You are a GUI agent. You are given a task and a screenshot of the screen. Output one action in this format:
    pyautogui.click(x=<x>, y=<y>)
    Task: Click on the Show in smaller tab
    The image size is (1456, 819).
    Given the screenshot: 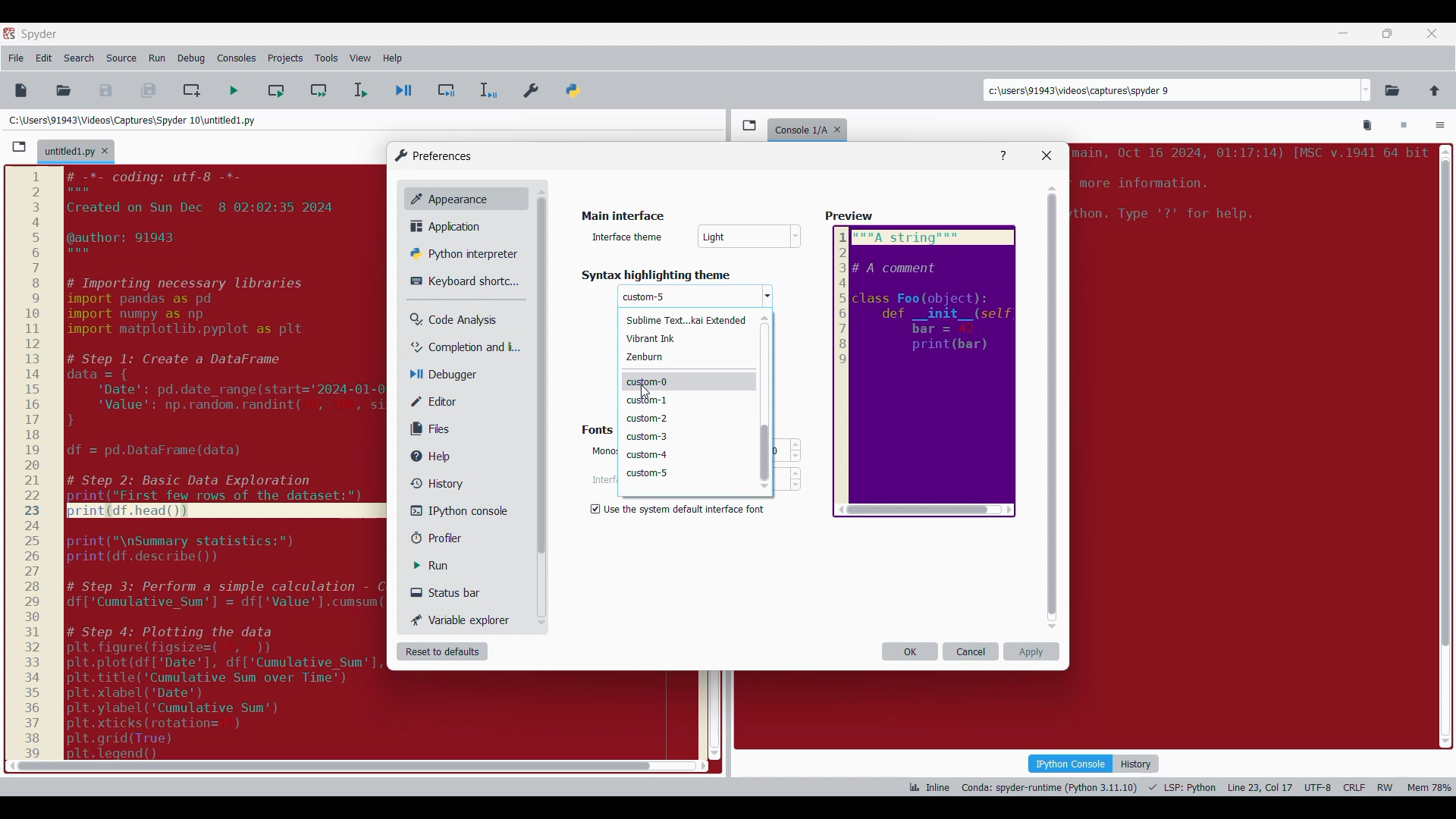 What is the action you would take?
    pyautogui.click(x=1387, y=33)
    